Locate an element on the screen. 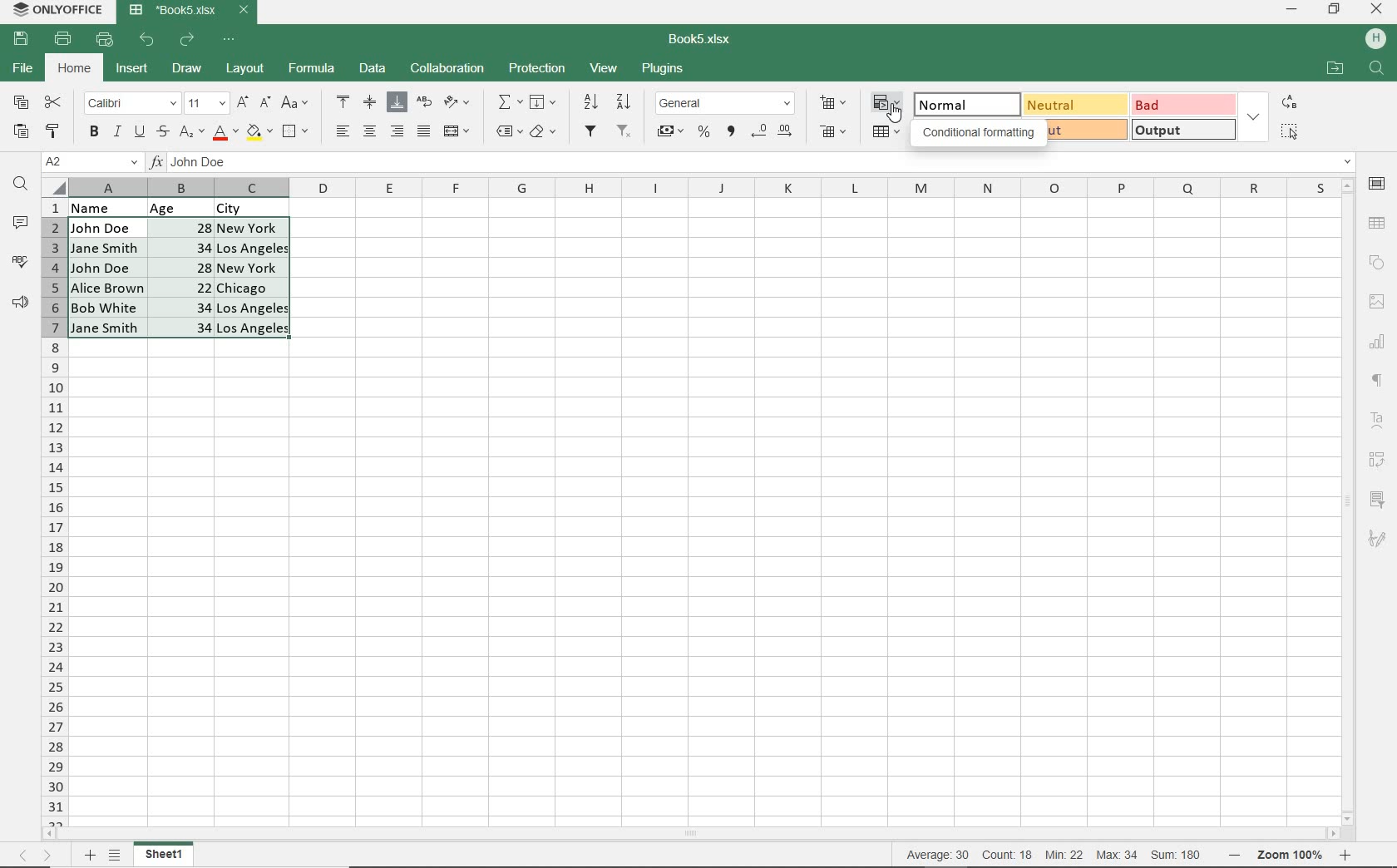 Image resolution: width=1397 pixels, height=868 pixels. FORMAT AS TABLE TEMPLATE is located at coordinates (887, 133).